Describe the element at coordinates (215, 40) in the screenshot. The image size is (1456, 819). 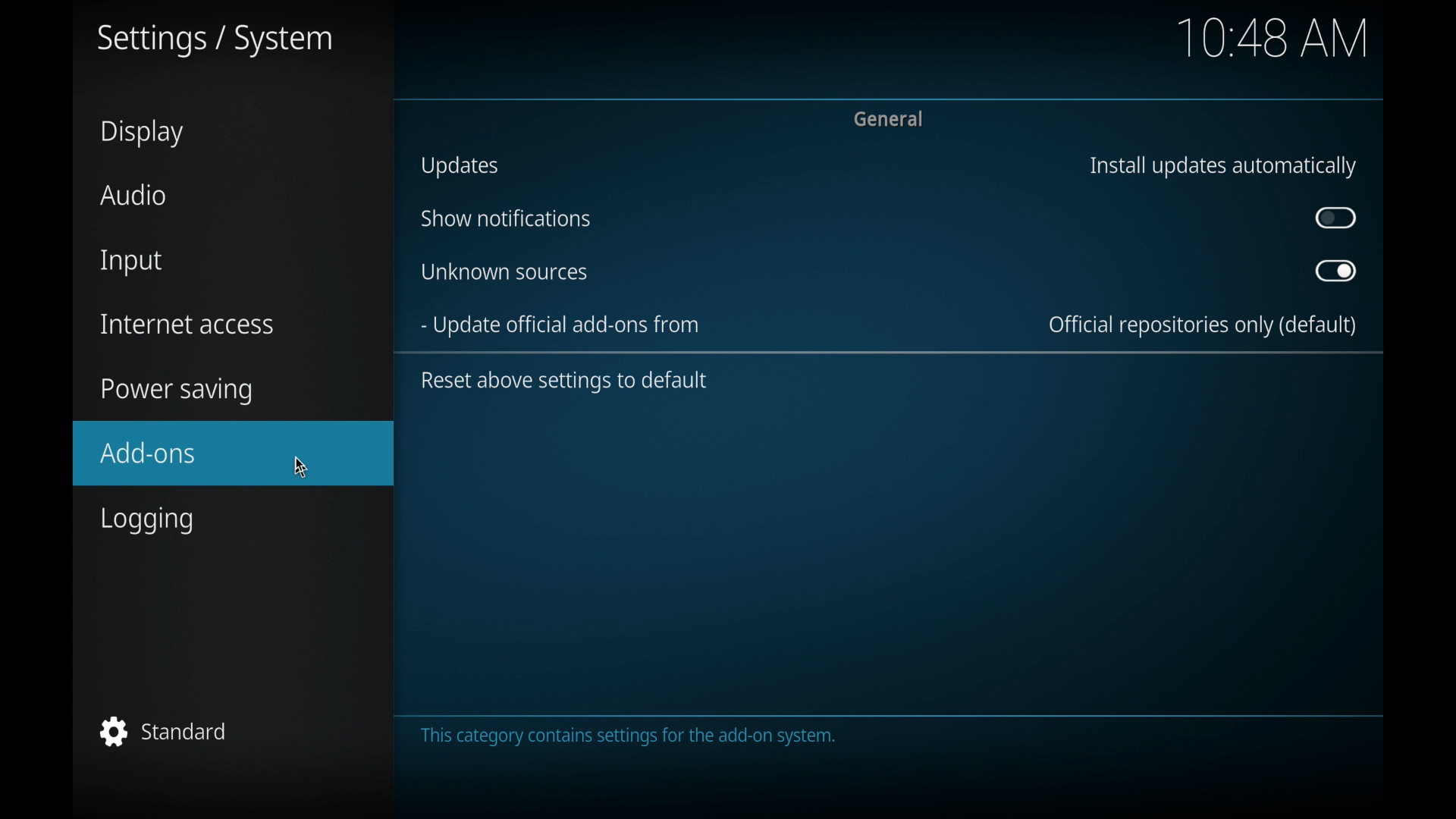
I see `settings/system` at that location.